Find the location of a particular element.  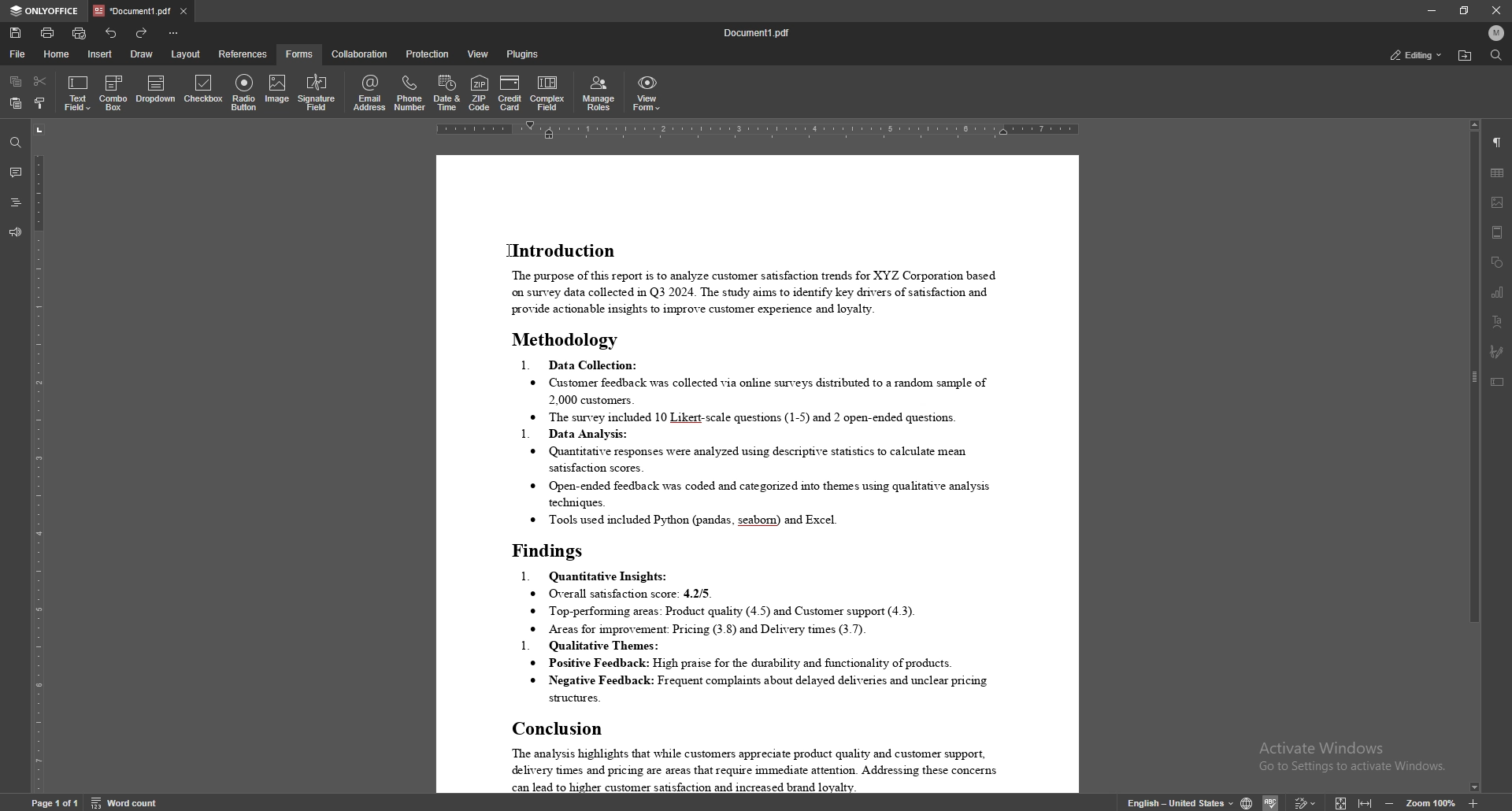

find is located at coordinates (16, 143).